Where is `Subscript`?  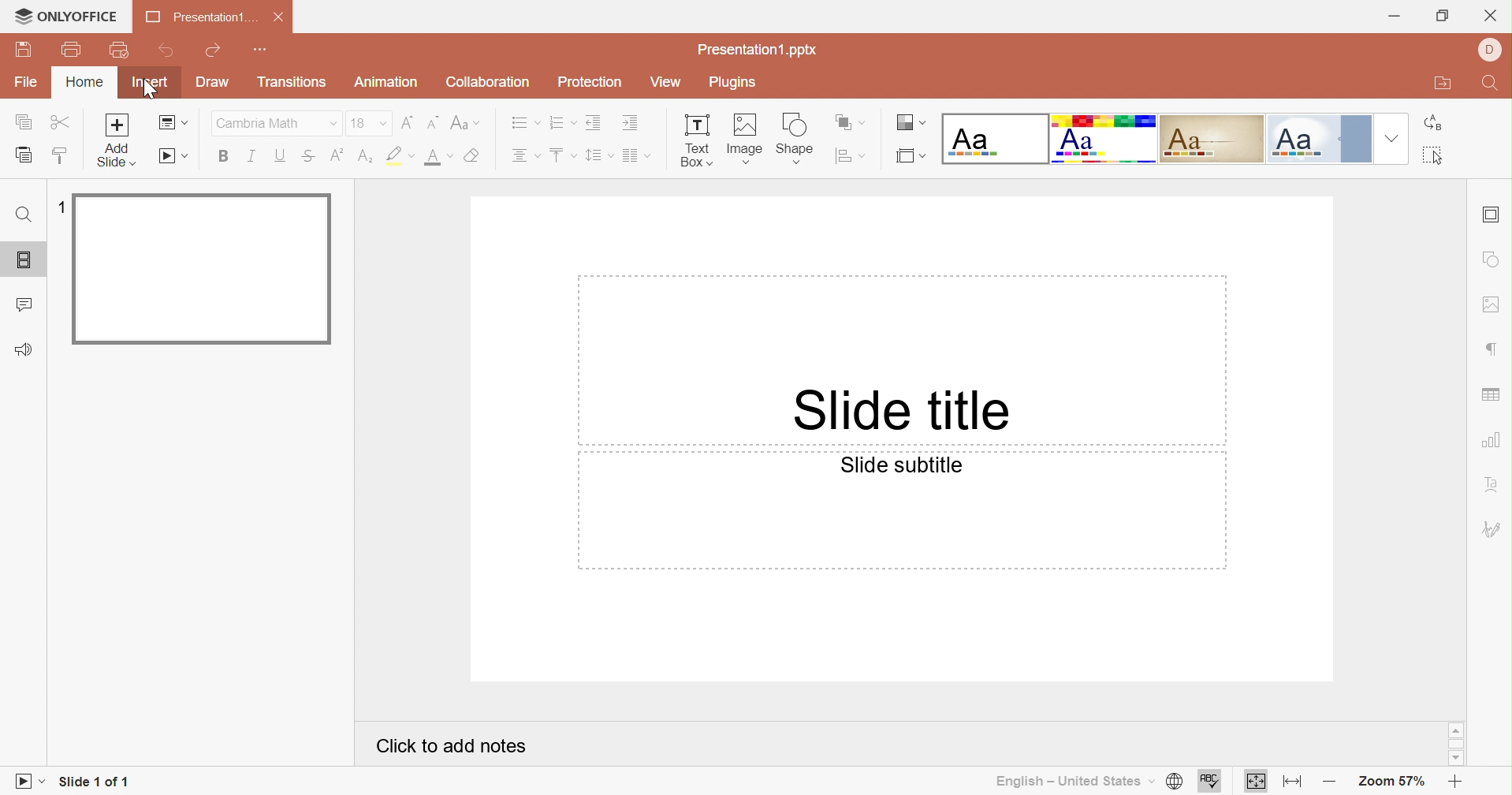 Subscript is located at coordinates (365, 156).